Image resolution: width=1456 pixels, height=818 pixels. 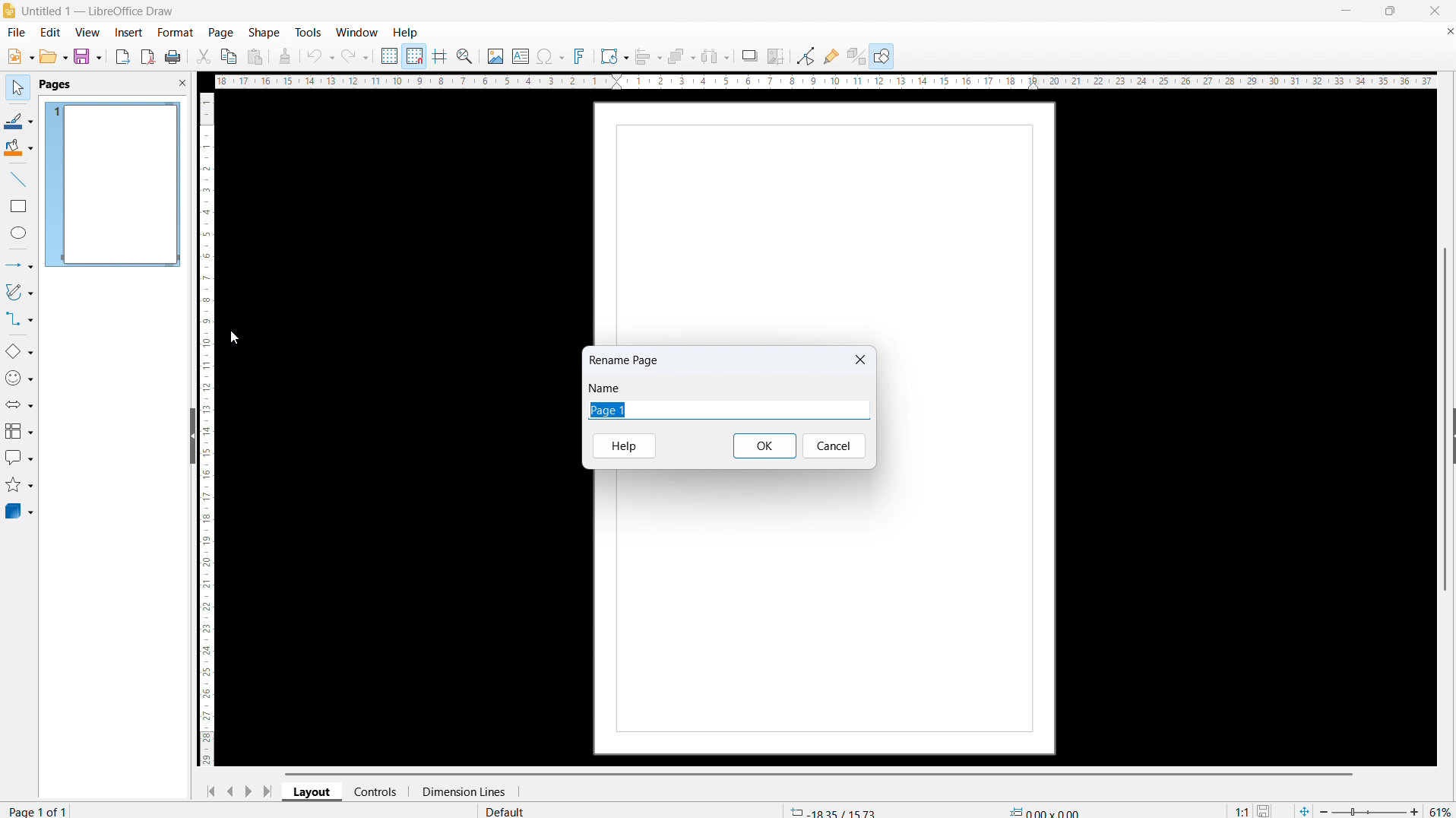 I want to click on edit, so click(x=49, y=33).